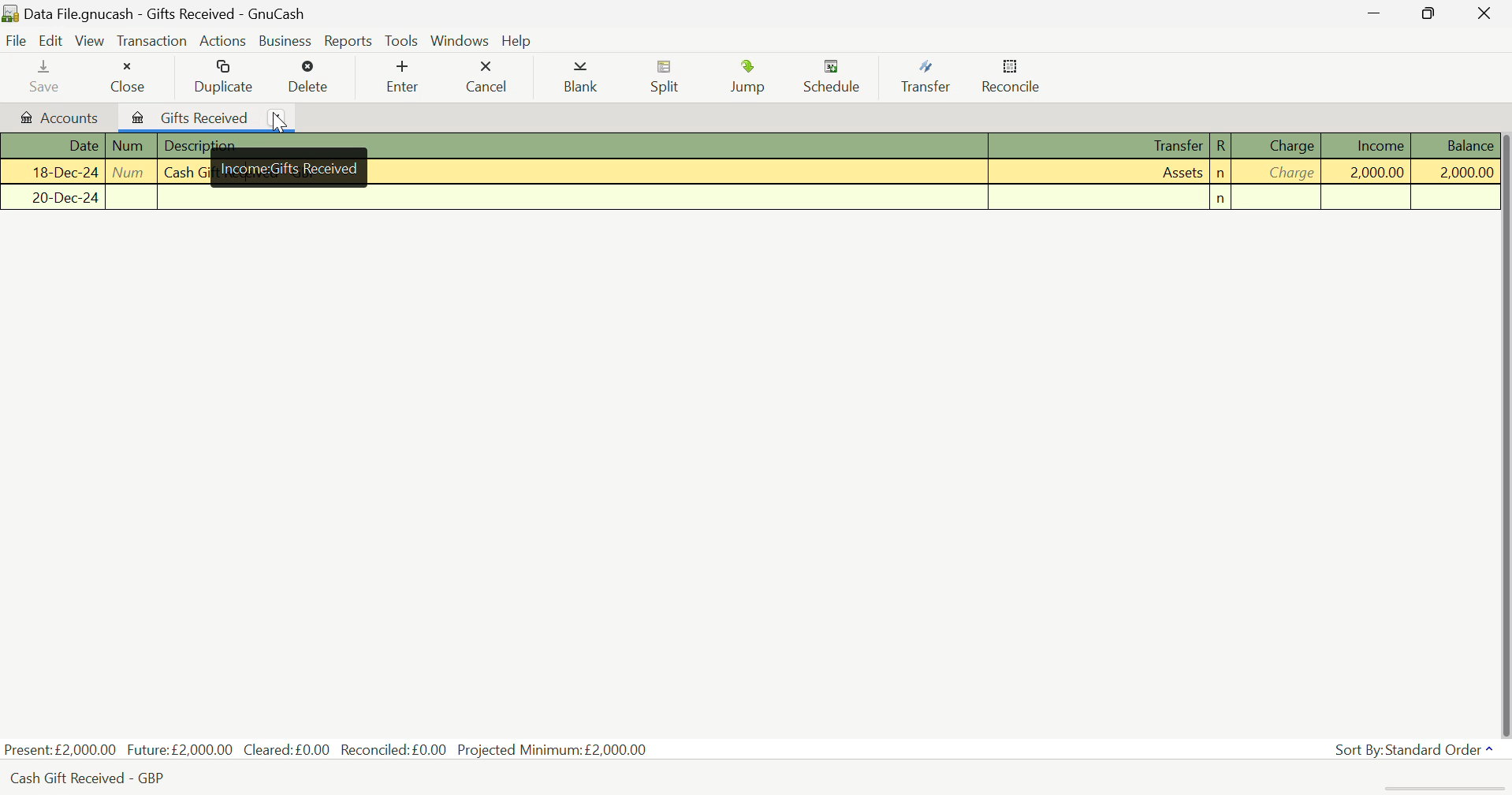 The image size is (1512, 795). Describe the element at coordinates (1417, 750) in the screenshot. I see `Sort By: Standard Order` at that location.